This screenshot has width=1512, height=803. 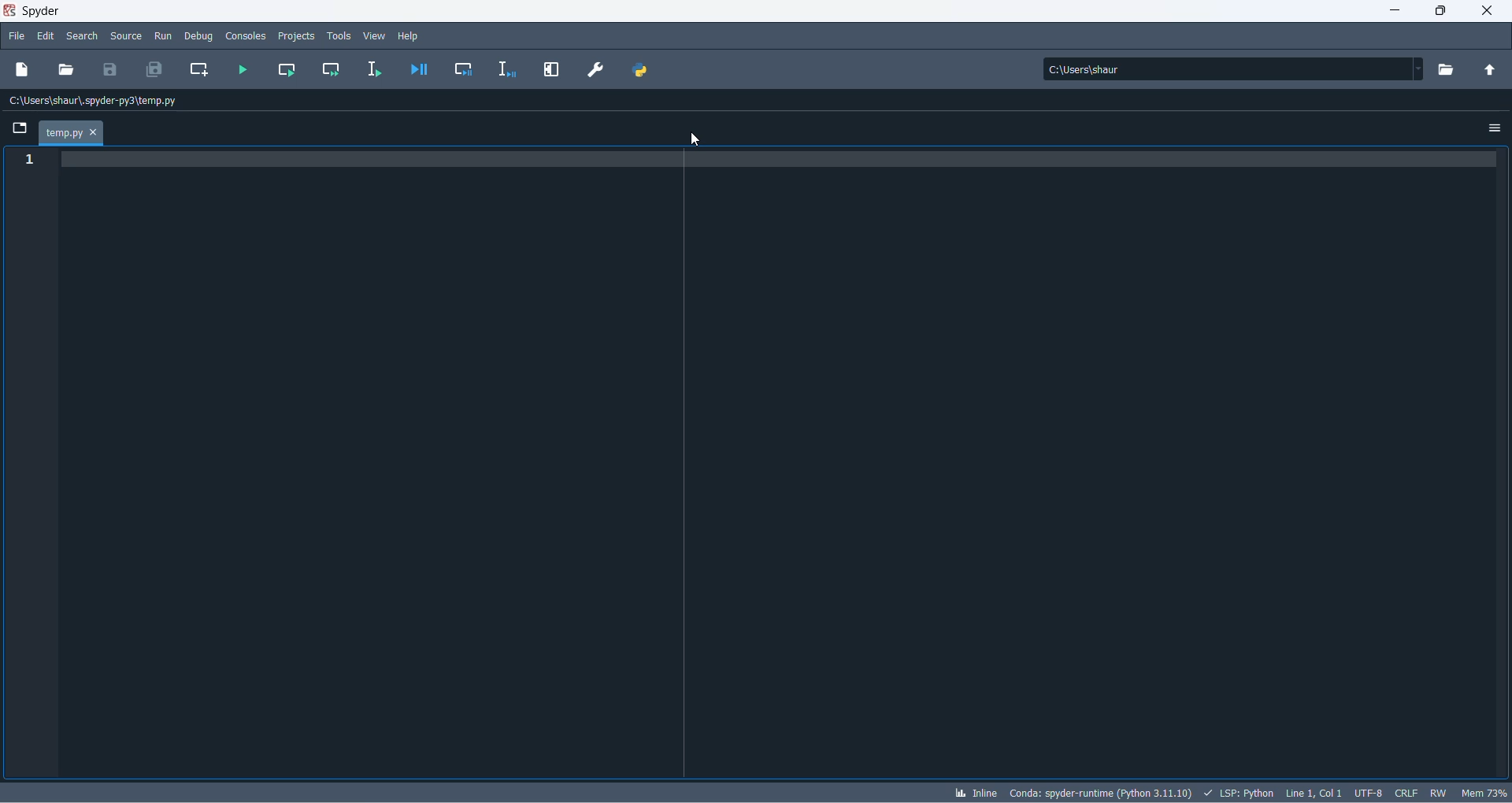 What do you see at coordinates (332, 69) in the screenshot?
I see `run current cell` at bounding box center [332, 69].